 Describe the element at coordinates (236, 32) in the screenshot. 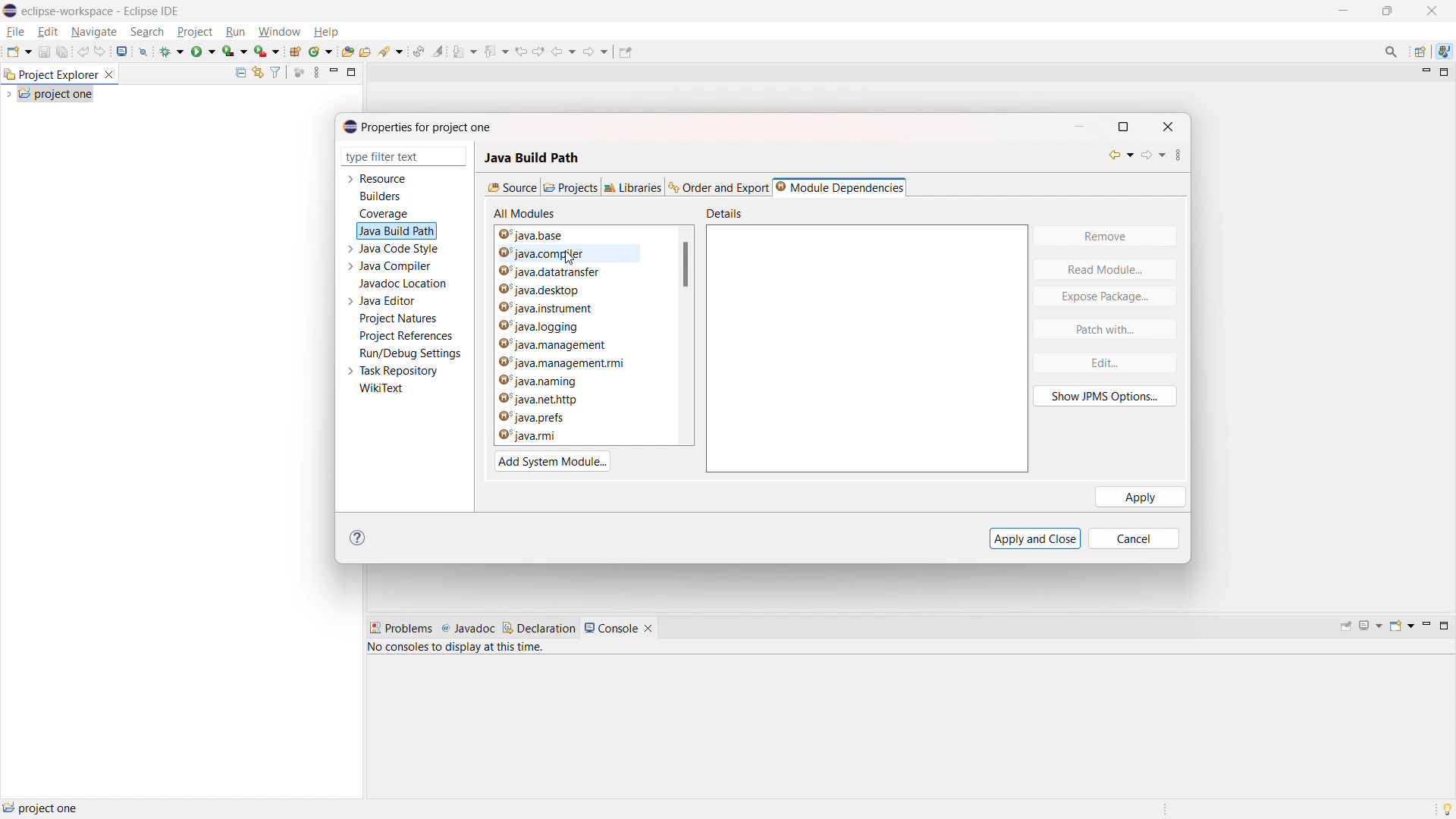

I see `run` at that location.